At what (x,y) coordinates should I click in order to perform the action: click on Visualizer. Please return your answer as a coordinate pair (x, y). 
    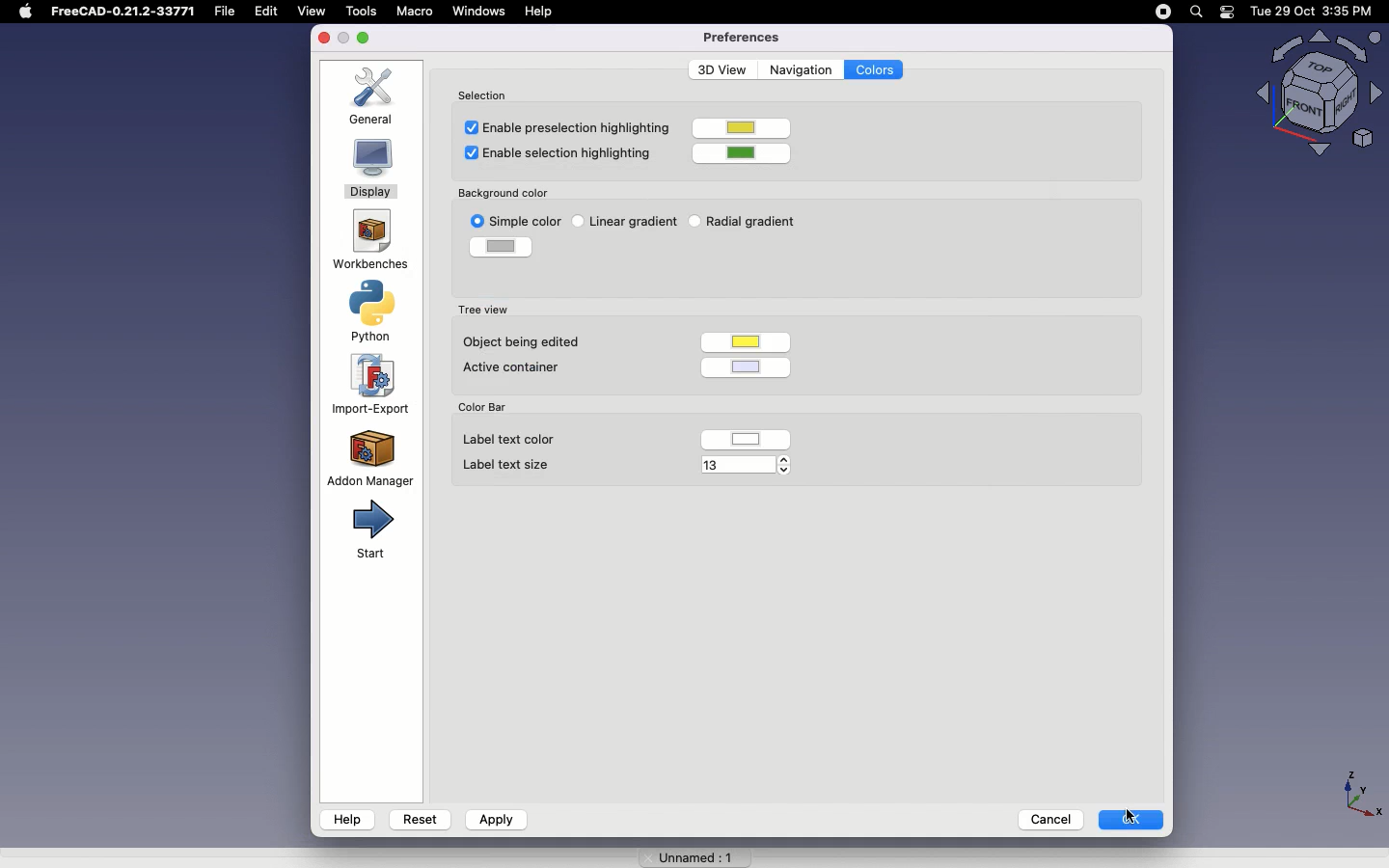
    Looking at the image, I should click on (1312, 95).